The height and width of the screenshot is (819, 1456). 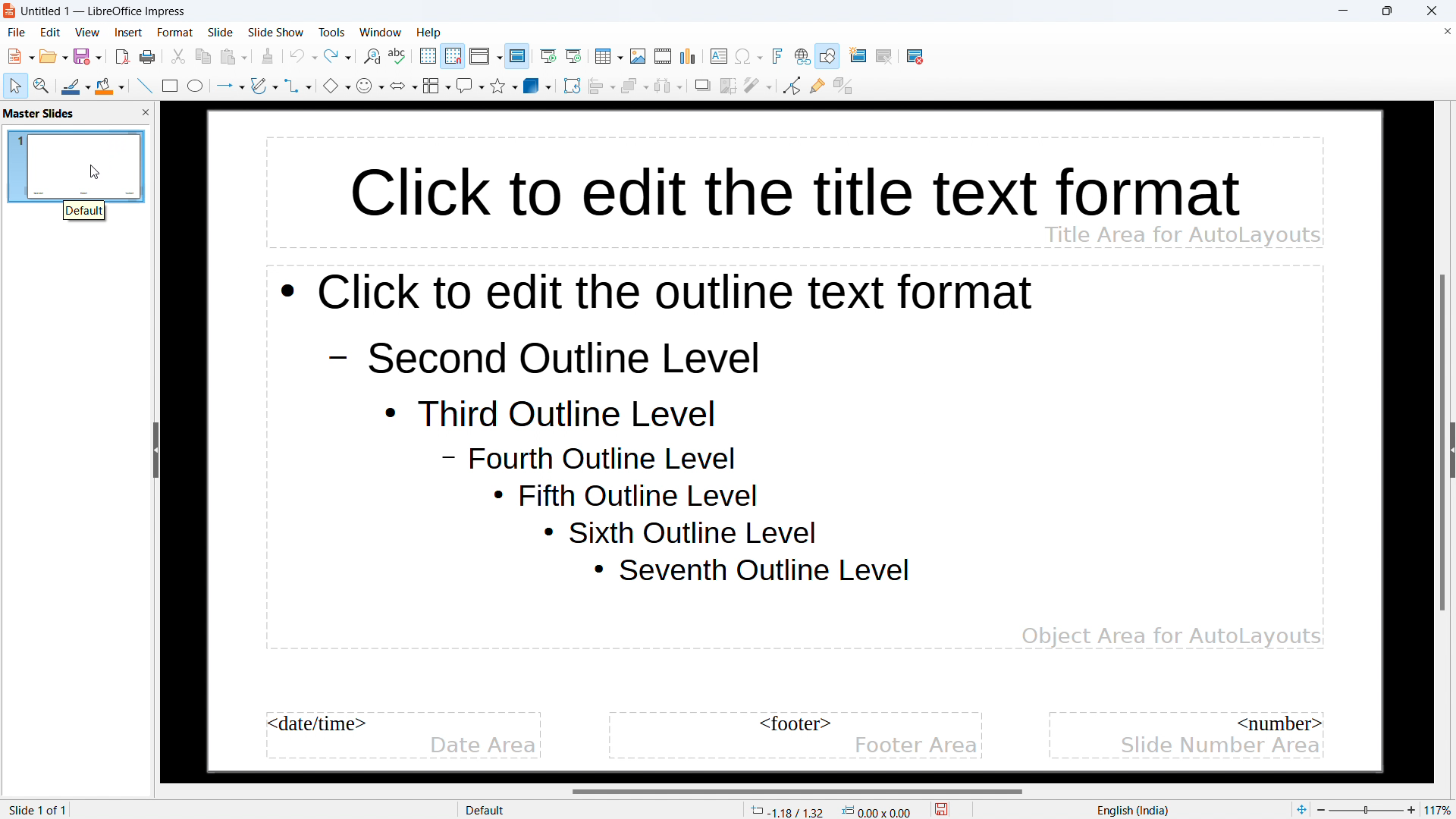 I want to click on horizontal scrollbar, so click(x=798, y=791).